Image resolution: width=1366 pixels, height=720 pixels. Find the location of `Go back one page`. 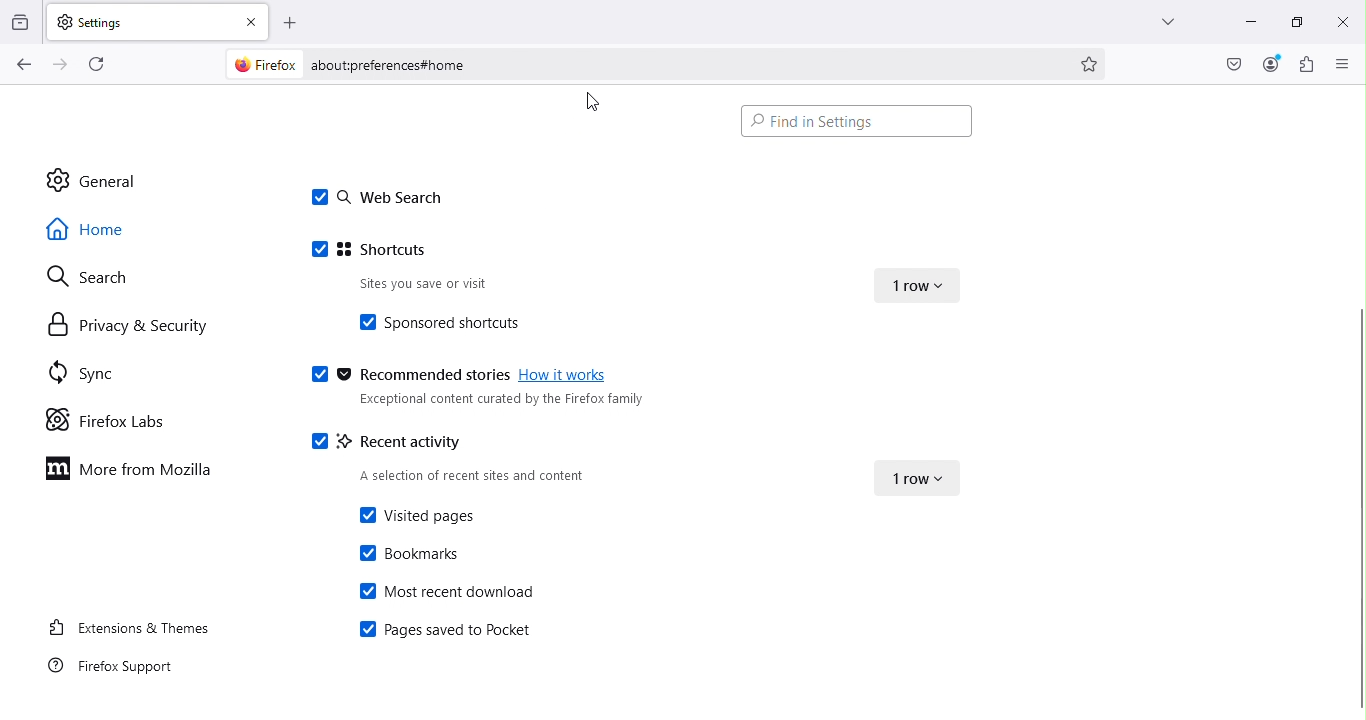

Go back one page is located at coordinates (22, 65).